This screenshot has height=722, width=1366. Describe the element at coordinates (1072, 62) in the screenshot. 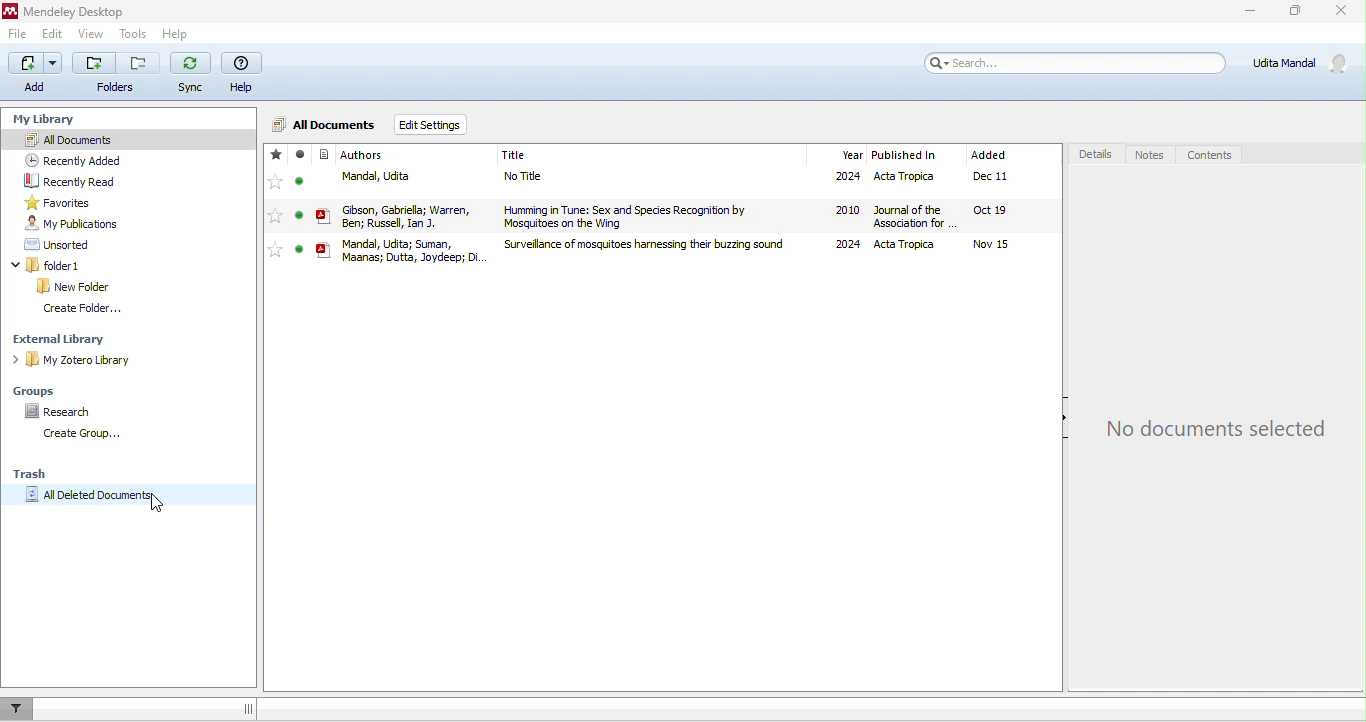

I see `search ` at that location.